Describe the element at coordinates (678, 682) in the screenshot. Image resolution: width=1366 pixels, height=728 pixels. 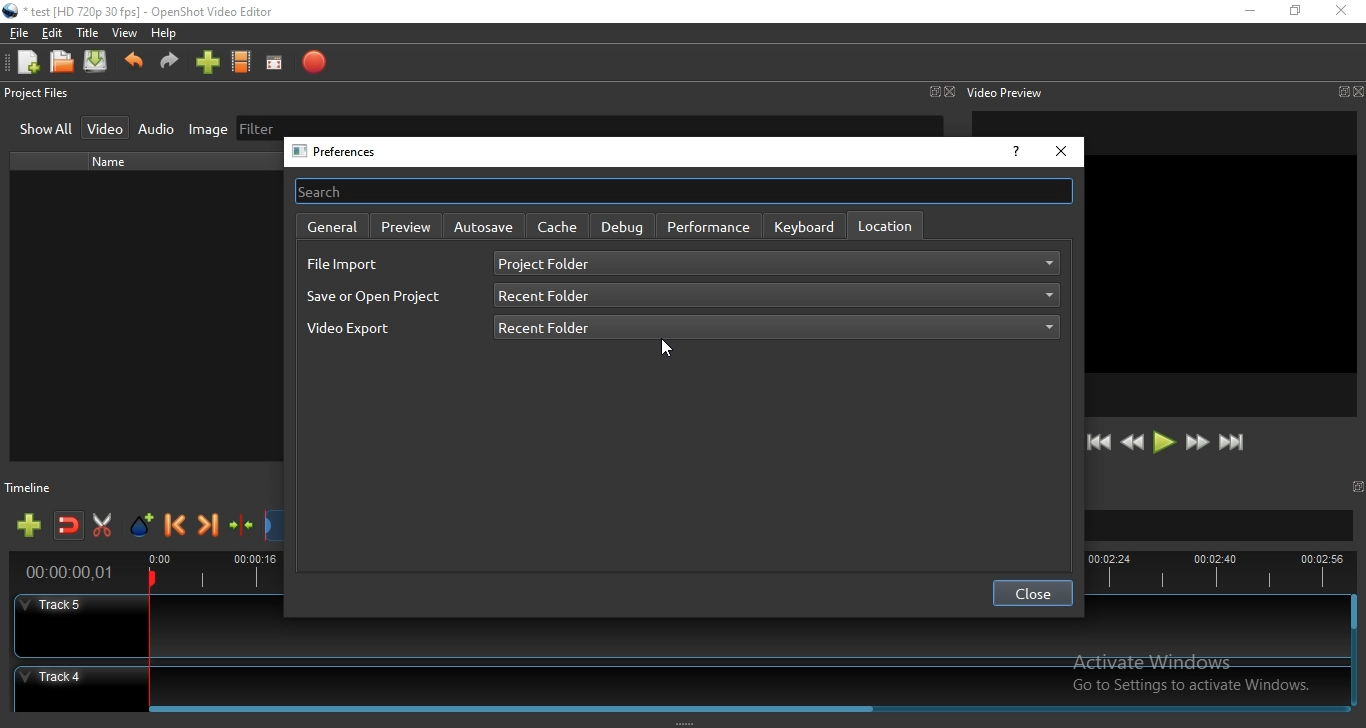
I see `Track` at that location.